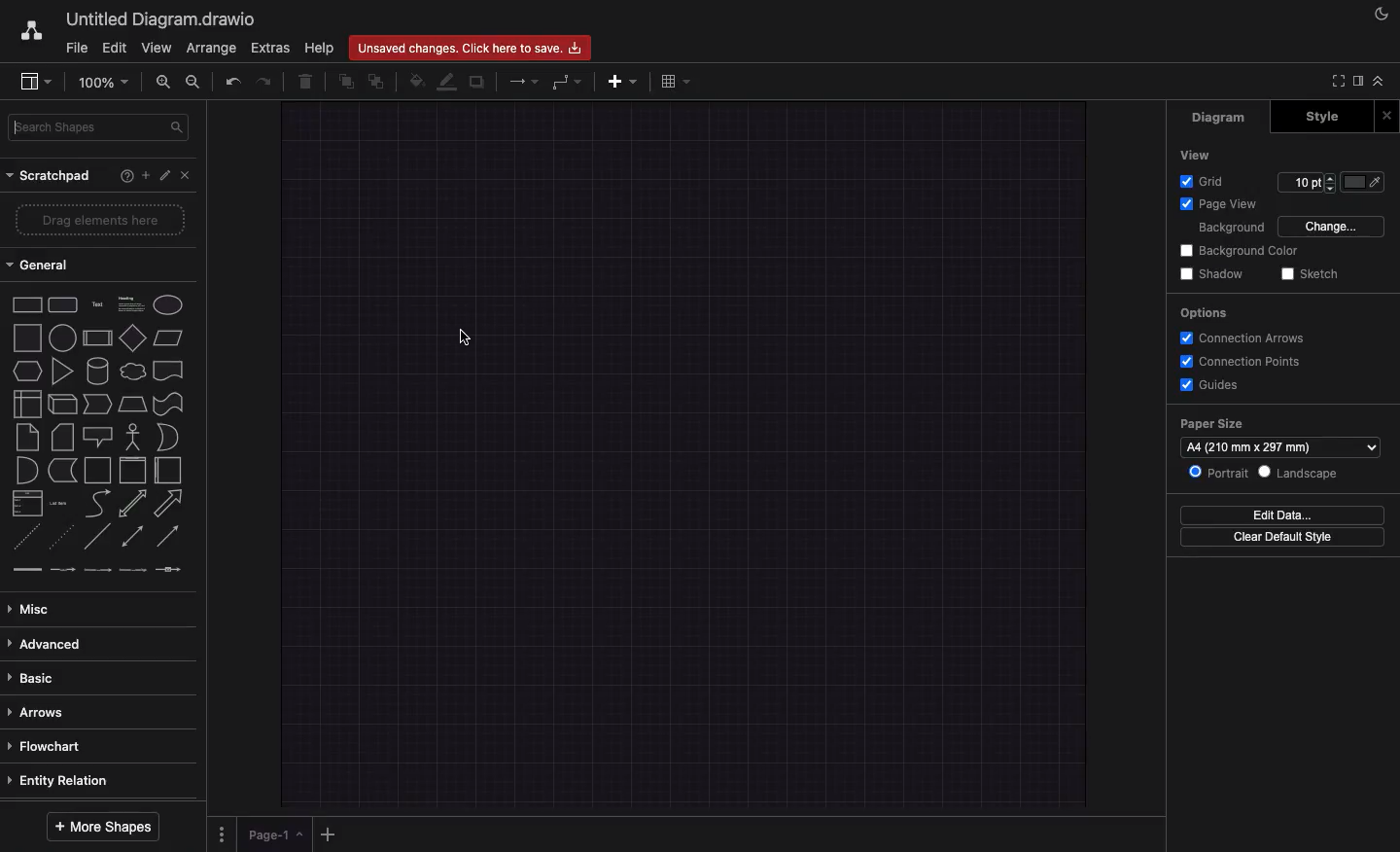 The height and width of the screenshot is (852, 1400). What do you see at coordinates (140, 176) in the screenshot?
I see `Add` at bounding box center [140, 176].